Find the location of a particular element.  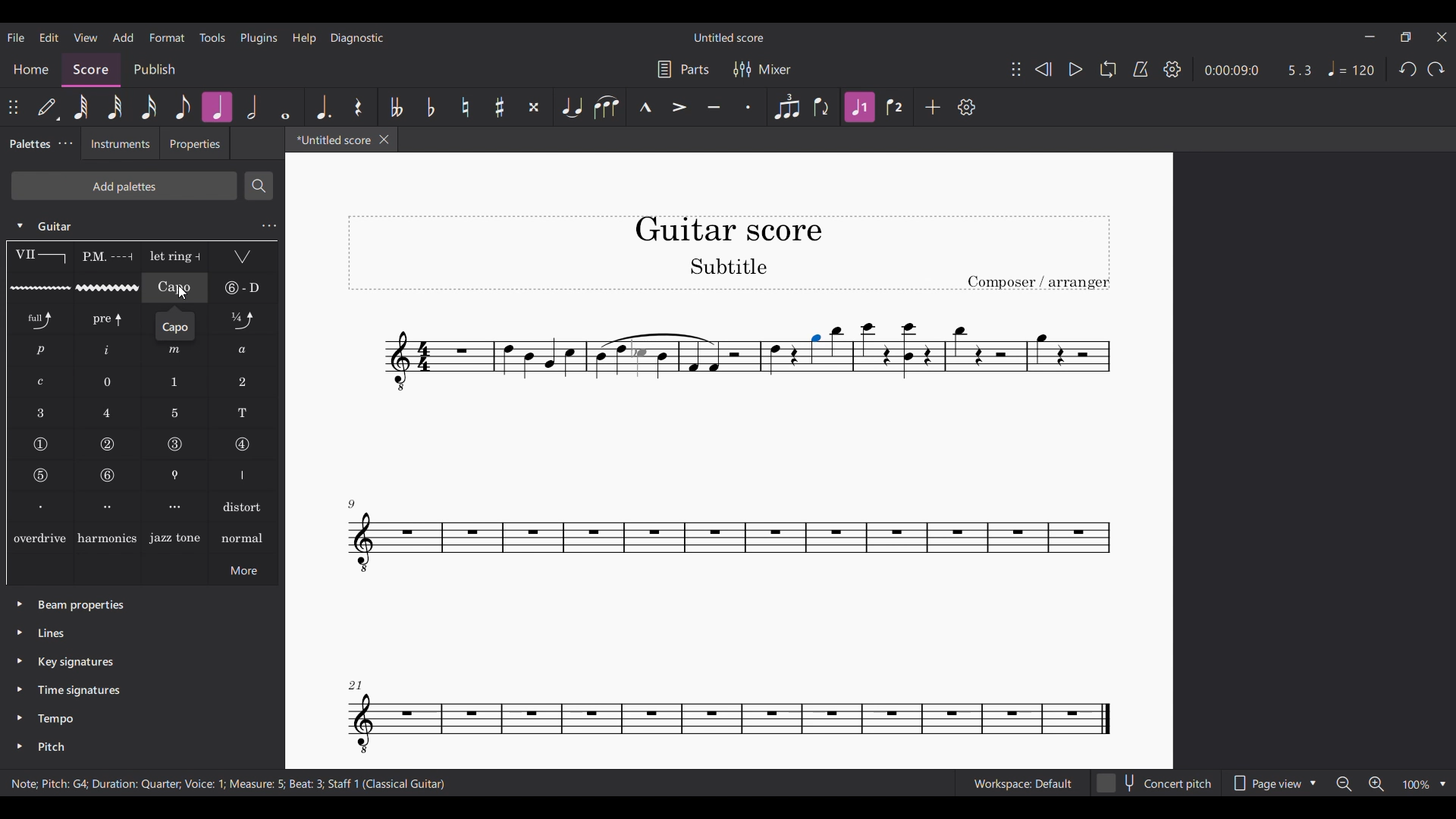

LH guitar fingering 5 is located at coordinates (175, 413).